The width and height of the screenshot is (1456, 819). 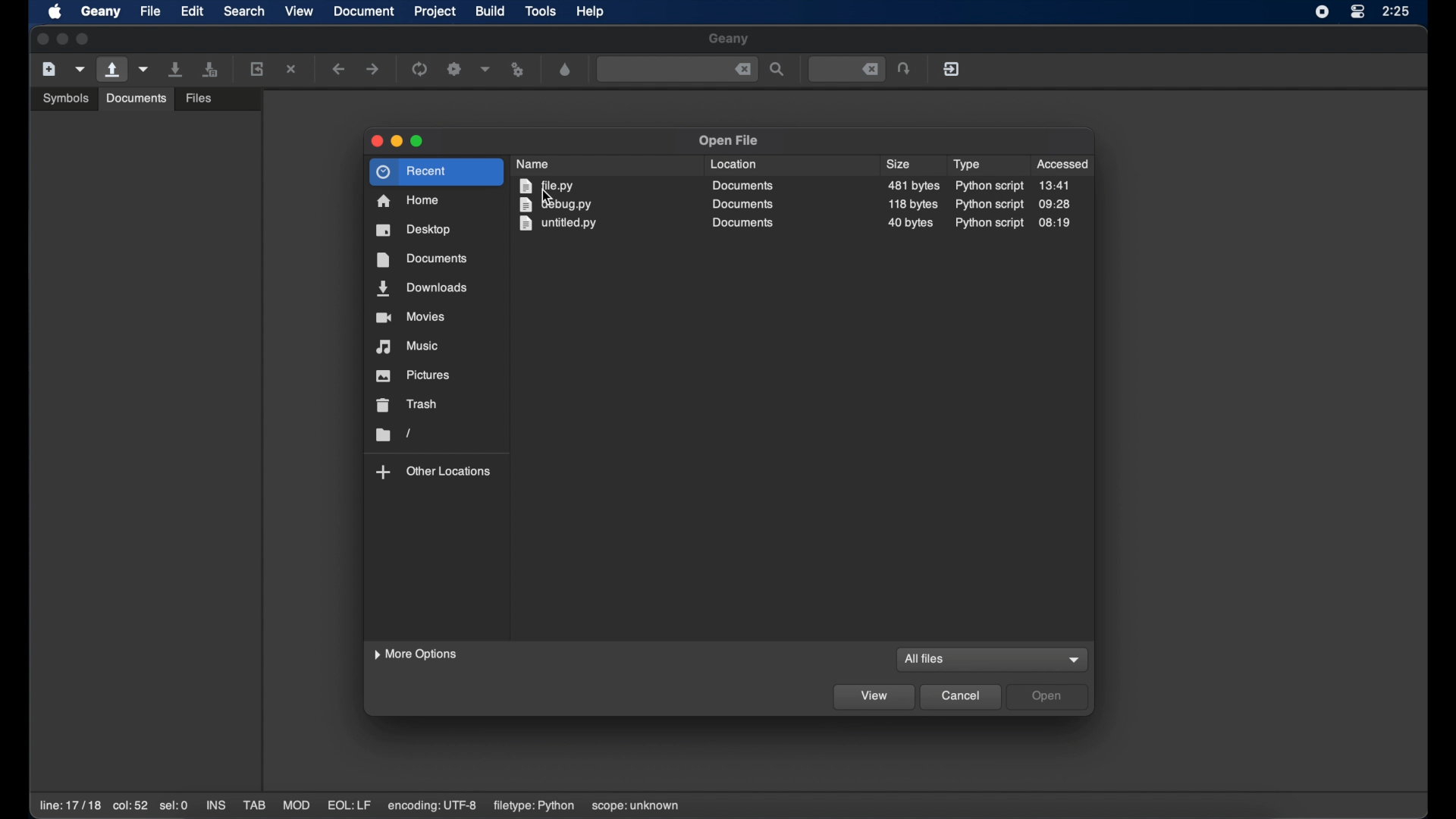 I want to click on help, so click(x=591, y=11).